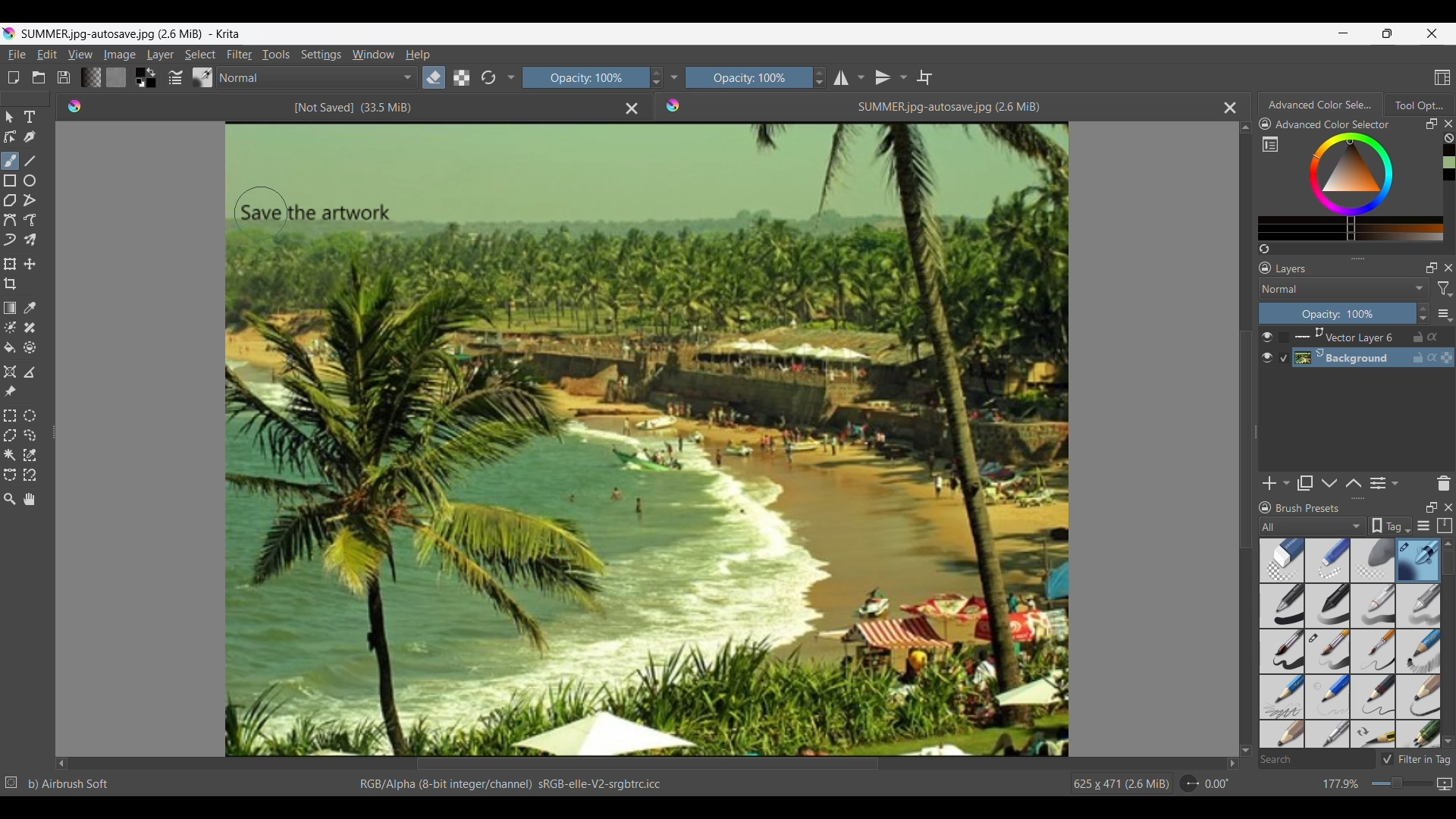 The height and width of the screenshot is (819, 1456). Describe the element at coordinates (81, 54) in the screenshot. I see `View` at that location.